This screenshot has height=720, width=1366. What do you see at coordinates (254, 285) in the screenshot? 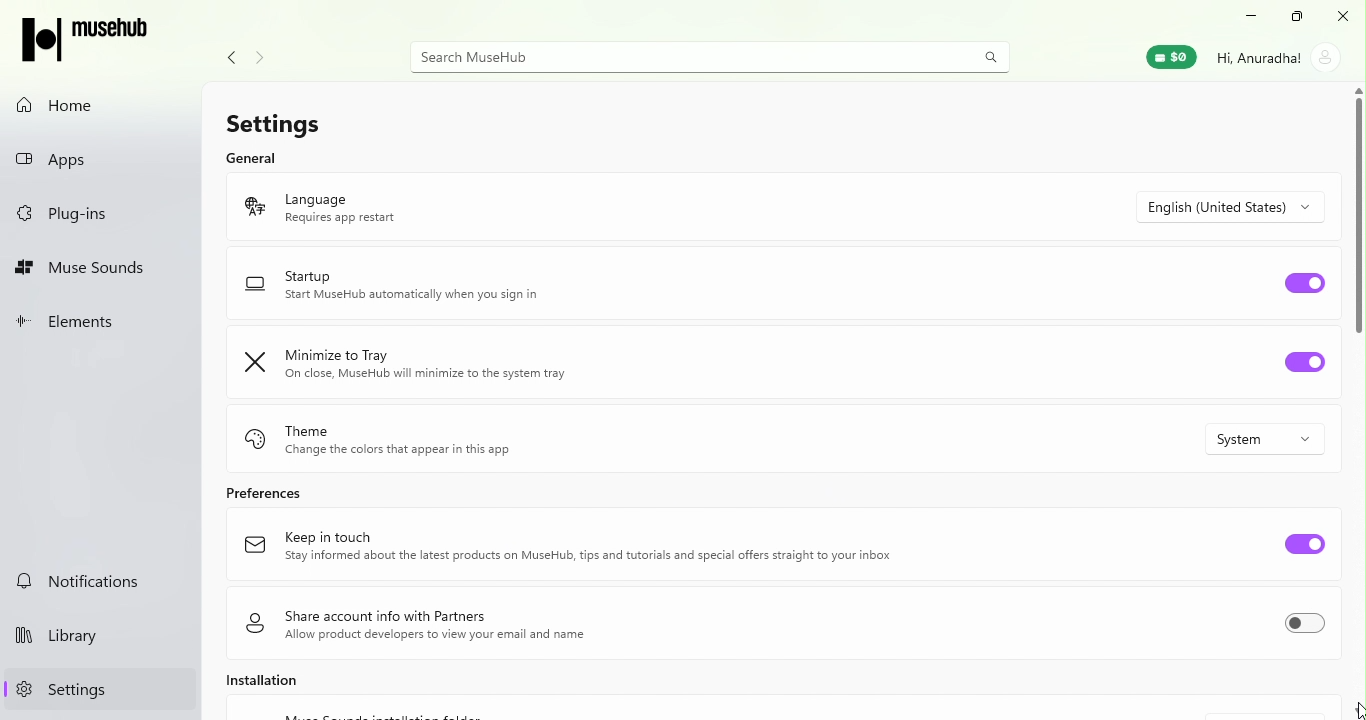
I see `logo` at bounding box center [254, 285].